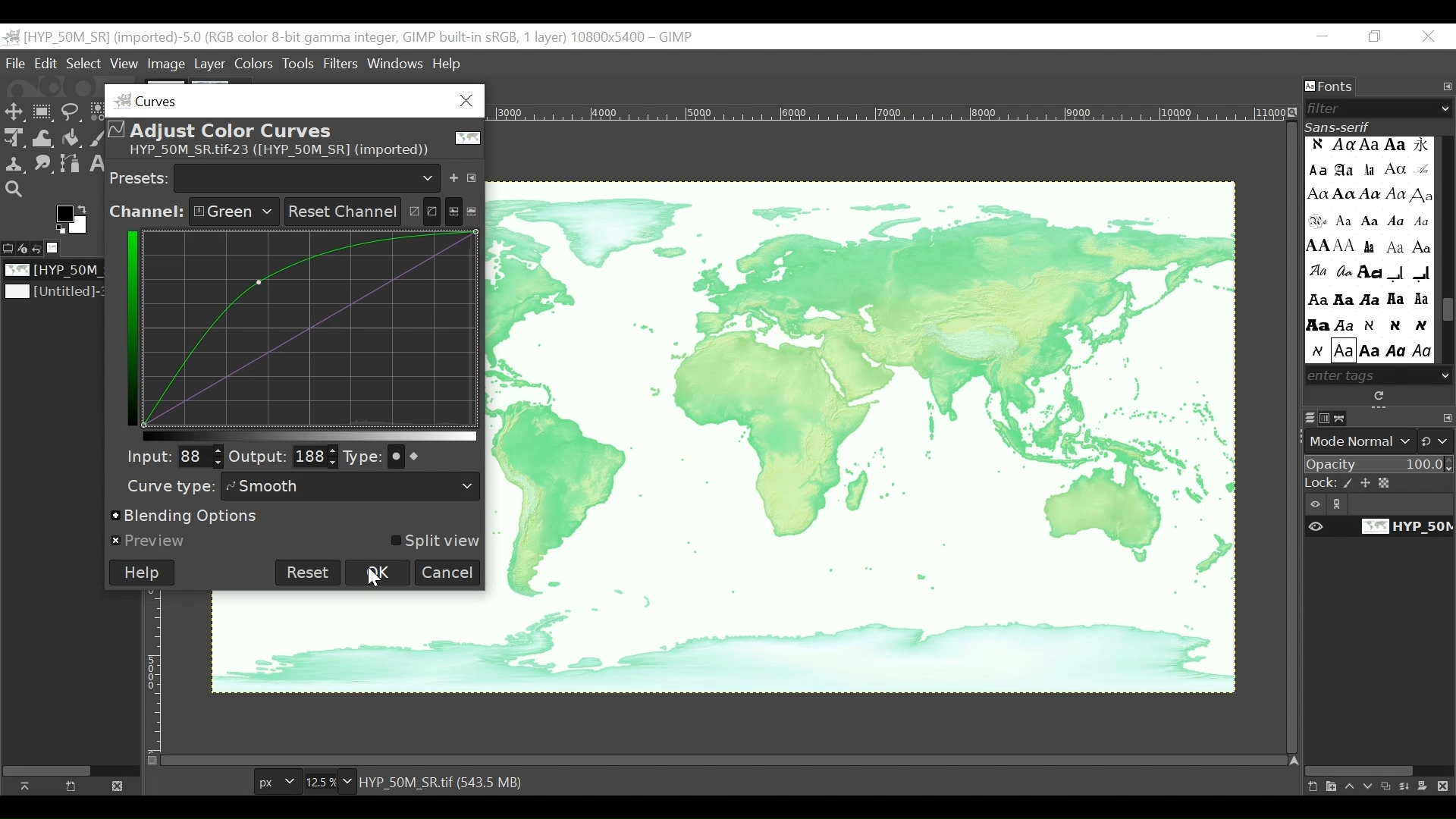  I want to click on Field, so click(316, 457).